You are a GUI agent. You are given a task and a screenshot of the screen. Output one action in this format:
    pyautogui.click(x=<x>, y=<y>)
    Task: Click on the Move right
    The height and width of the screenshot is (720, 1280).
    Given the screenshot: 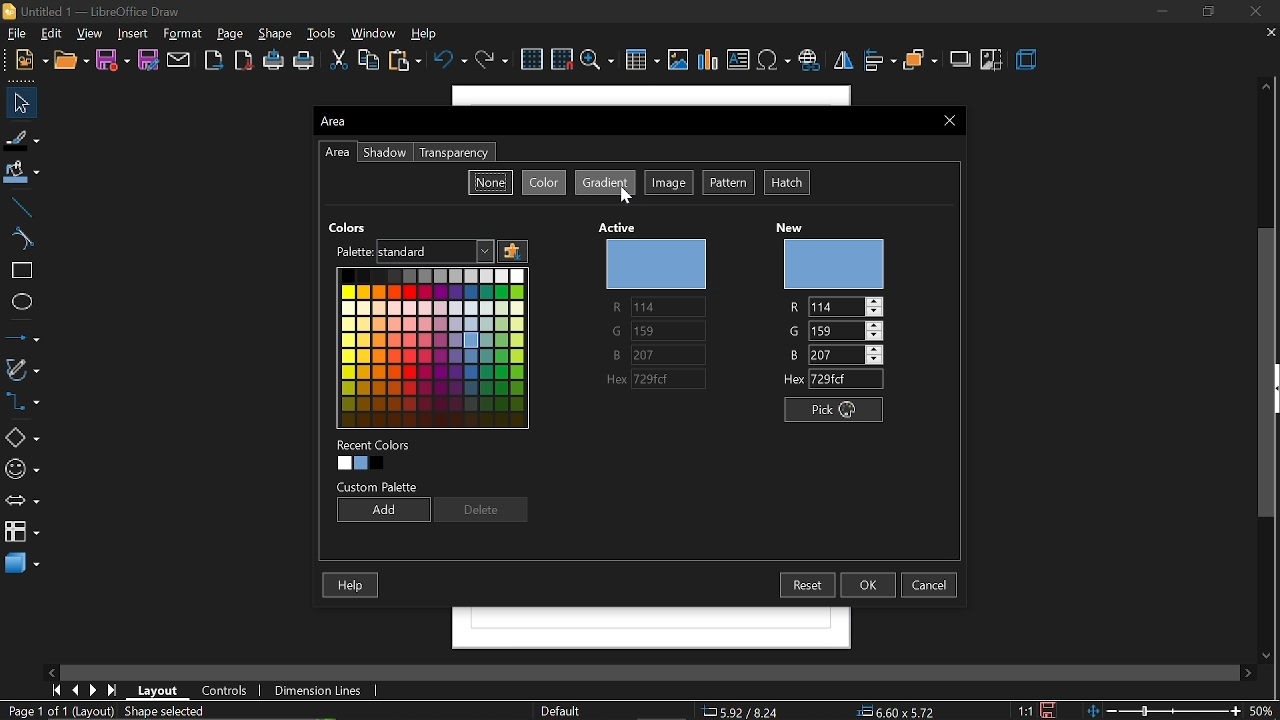 What is the action you would take?
    pyautogui.click(x=1249, y=673)
    